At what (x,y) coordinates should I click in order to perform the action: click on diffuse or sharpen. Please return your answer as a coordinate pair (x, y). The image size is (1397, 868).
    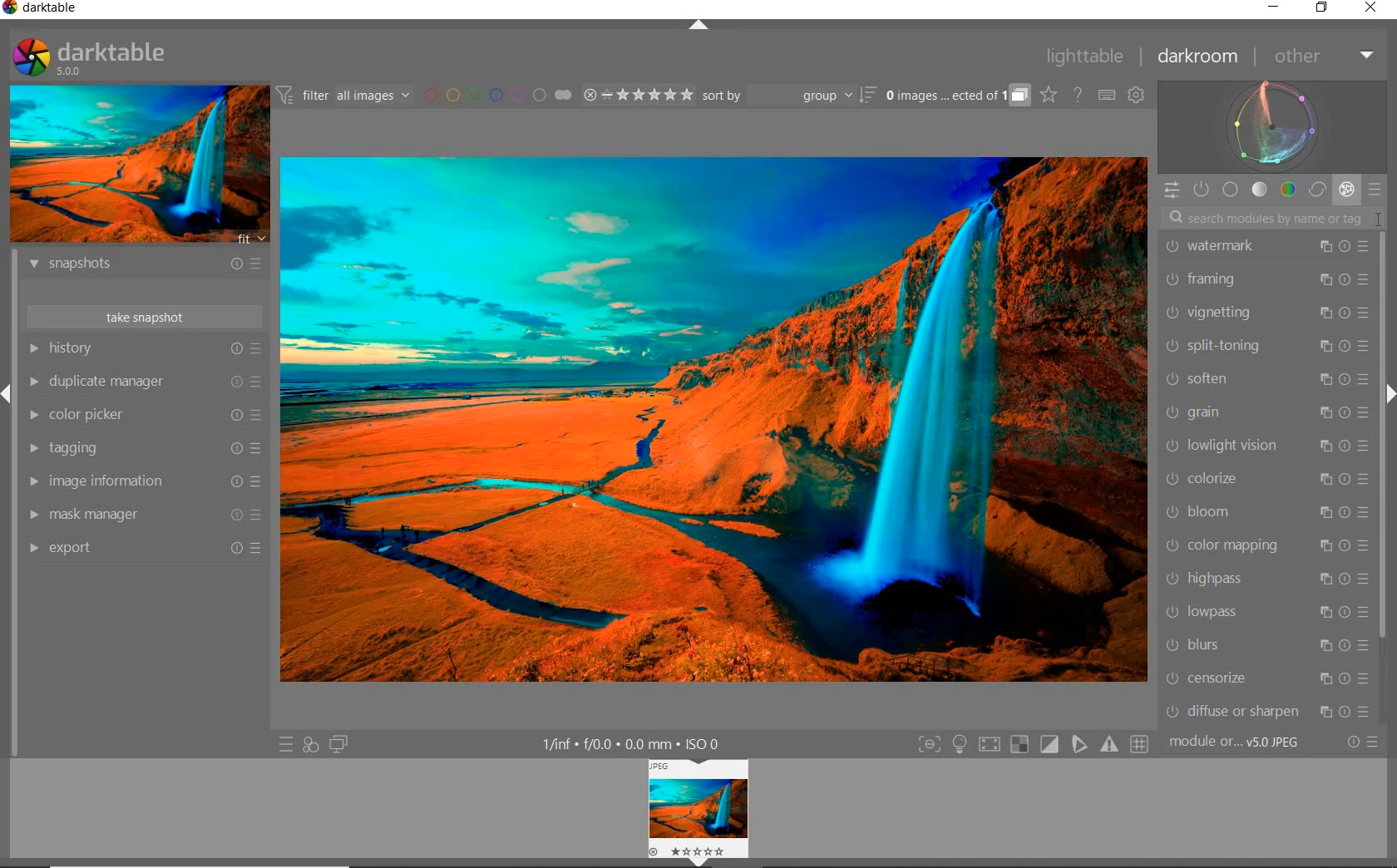
    Looking at the image, I should click on (1268, 711).